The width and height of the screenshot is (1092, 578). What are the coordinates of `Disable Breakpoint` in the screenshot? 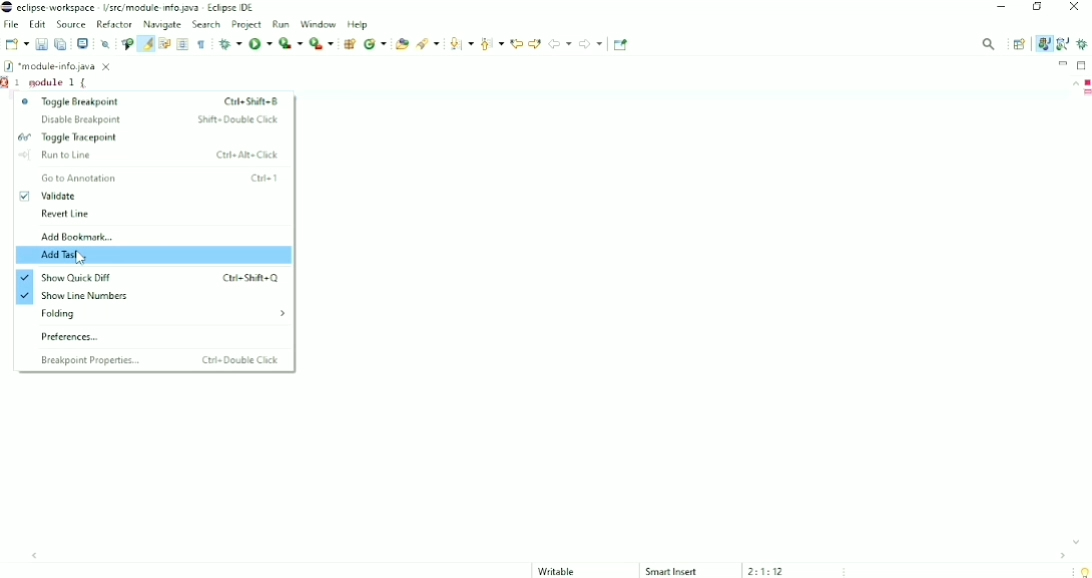 It's located at (161, 120).